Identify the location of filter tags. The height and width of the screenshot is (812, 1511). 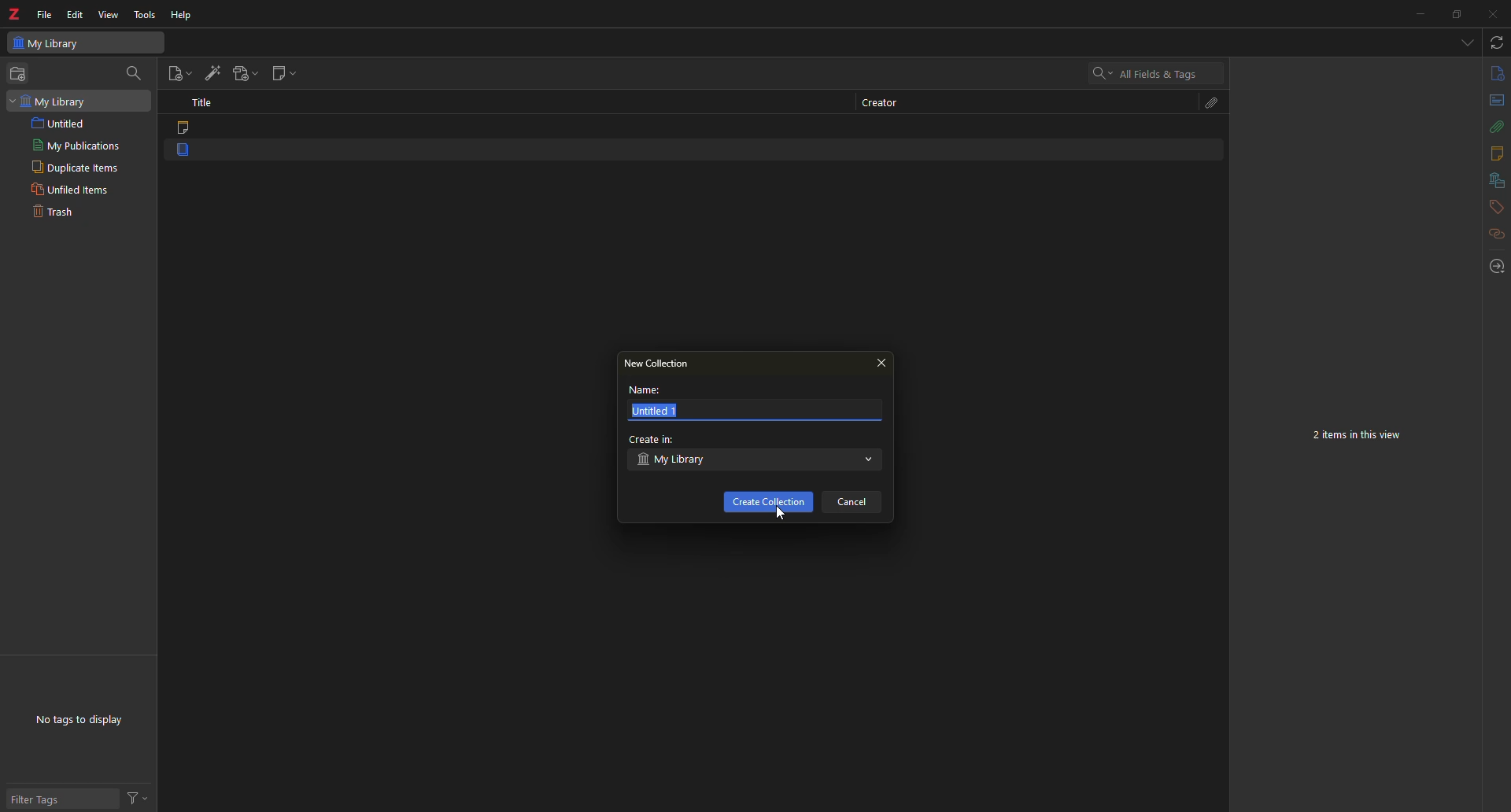
(44, 801).